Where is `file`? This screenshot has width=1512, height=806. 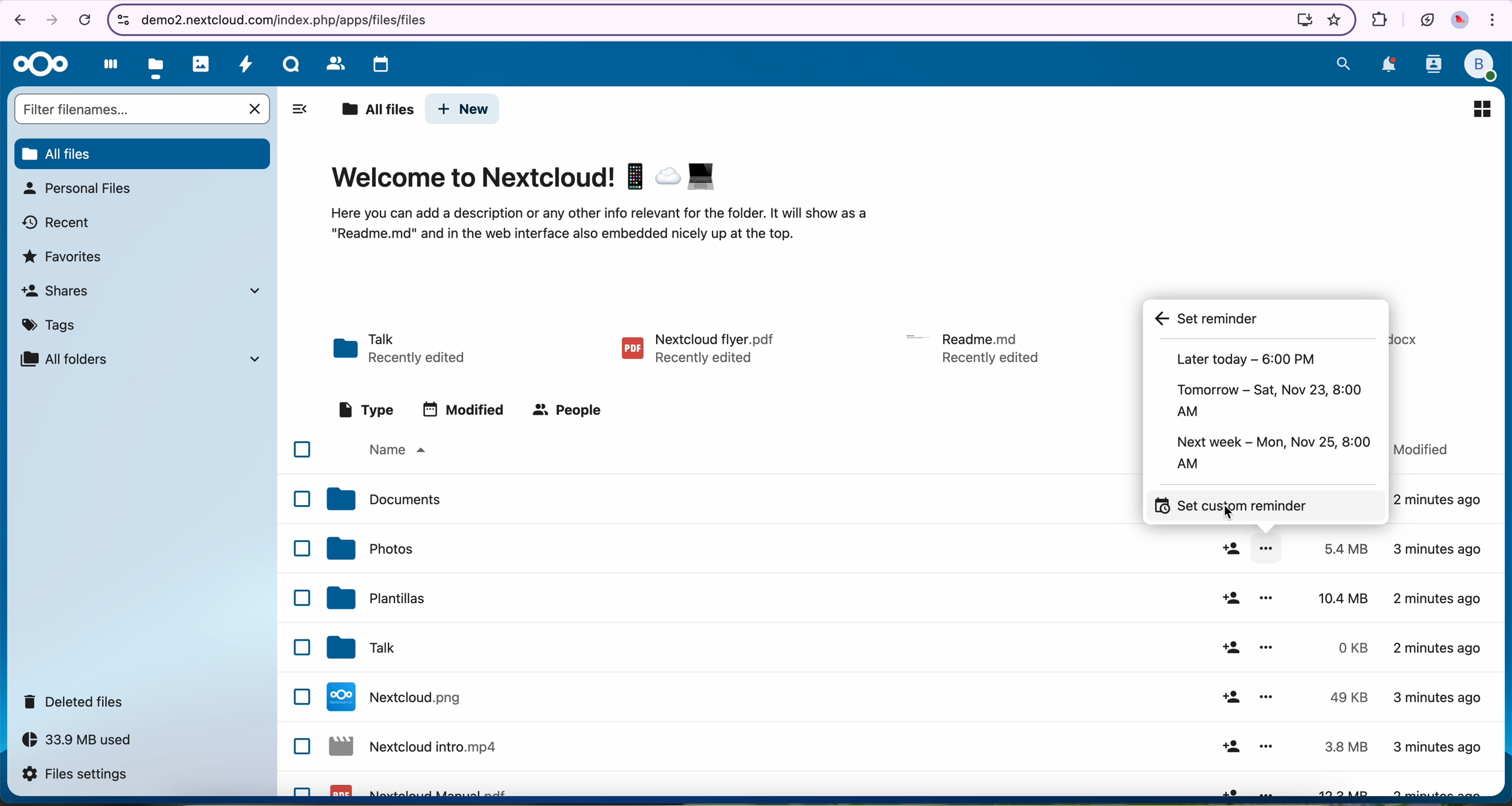 file is located at coordinates (971, 346).